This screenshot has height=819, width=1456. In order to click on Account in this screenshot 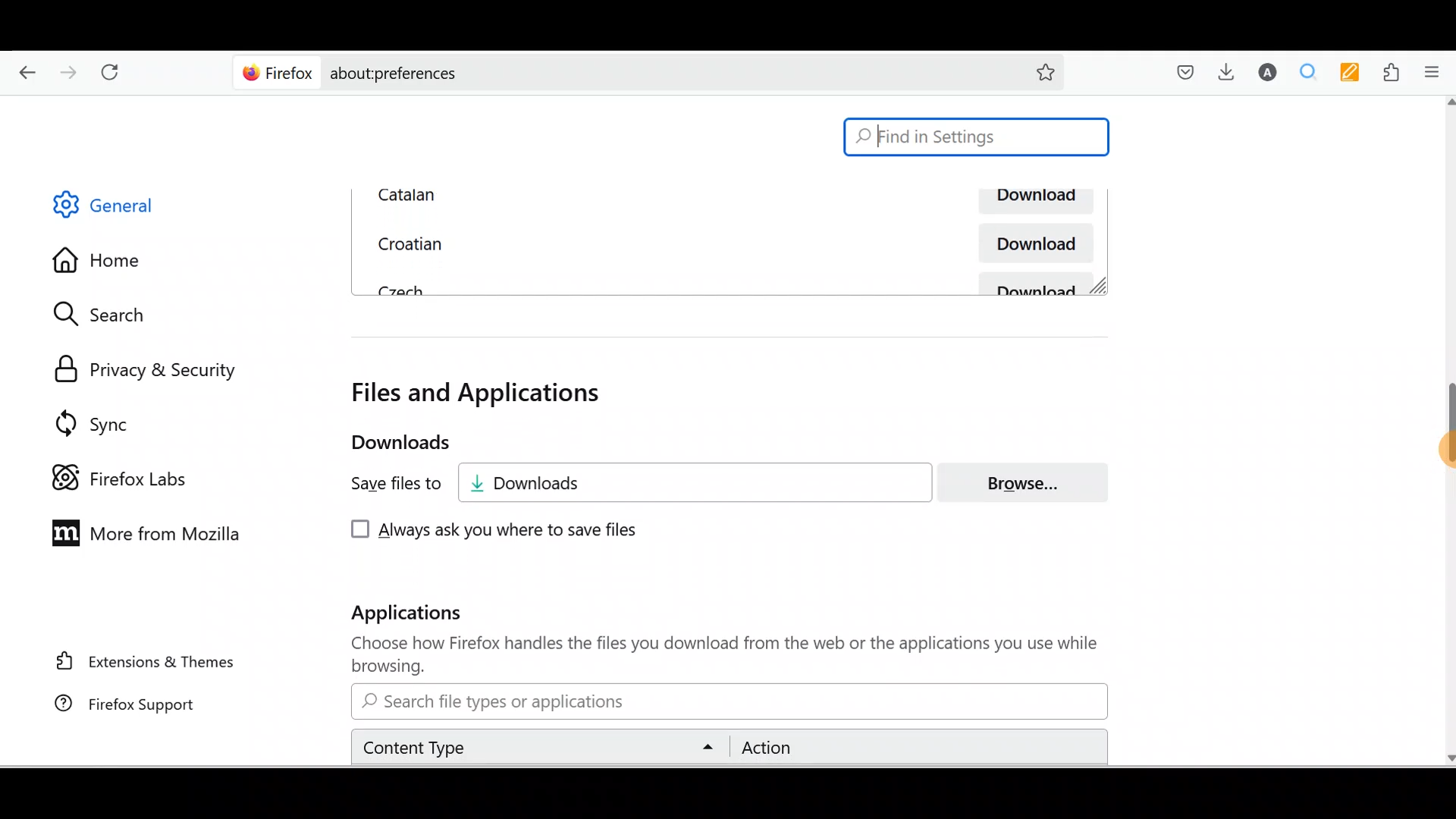, I will do `click(1269, 74)`.